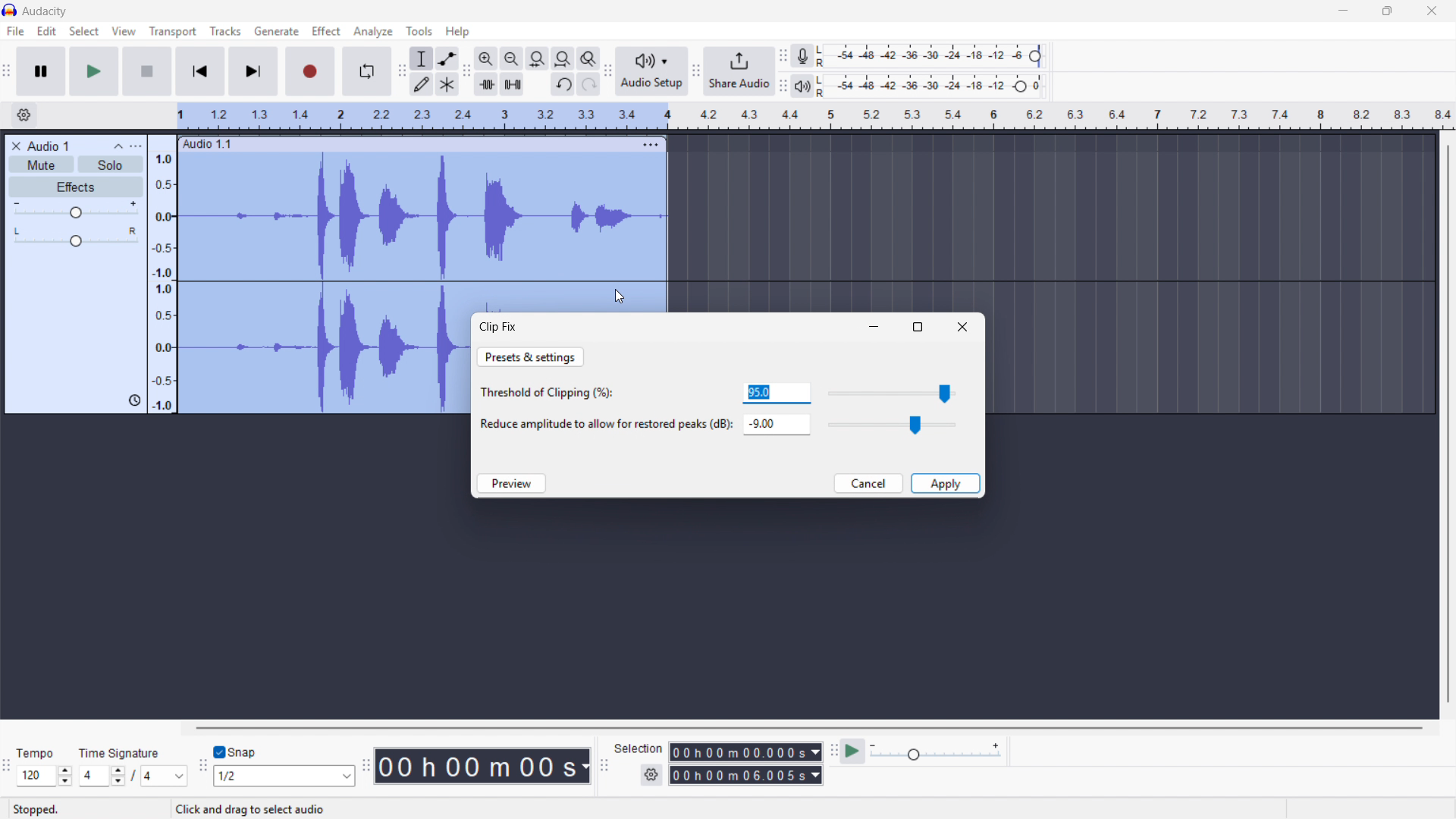  What do you see at coordinates (447, 58) in the screenshot?
I see `Envelope tool` at bounding box center [447, 58].